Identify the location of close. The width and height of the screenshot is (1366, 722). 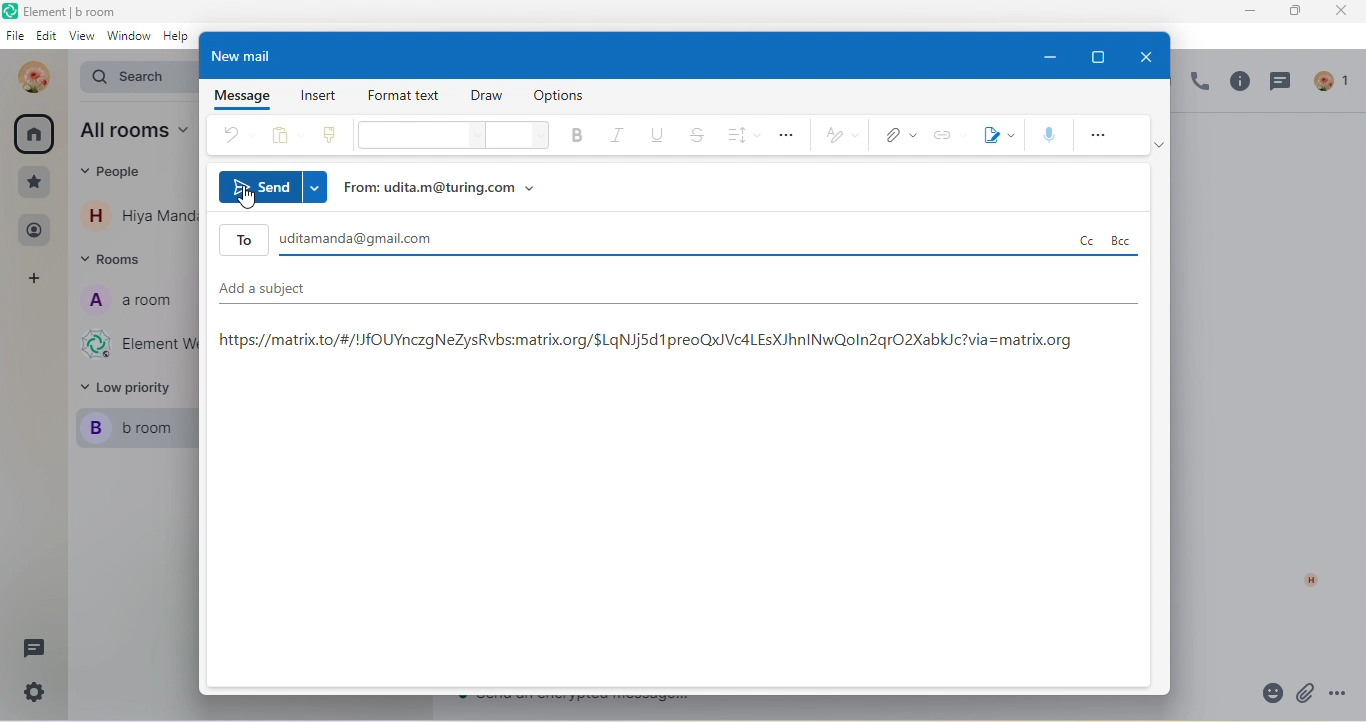
(1337, 12).